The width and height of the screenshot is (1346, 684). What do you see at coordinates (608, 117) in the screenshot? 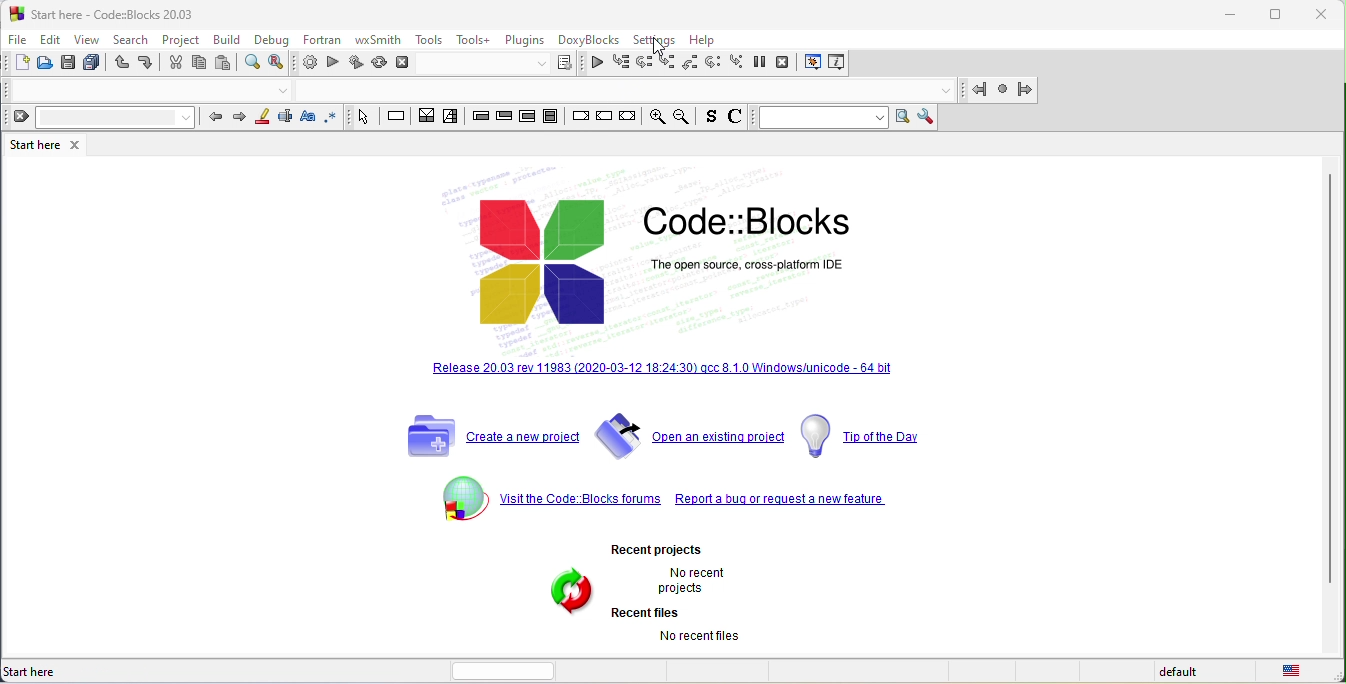
I see `continue` at bounding box center [608, 117].